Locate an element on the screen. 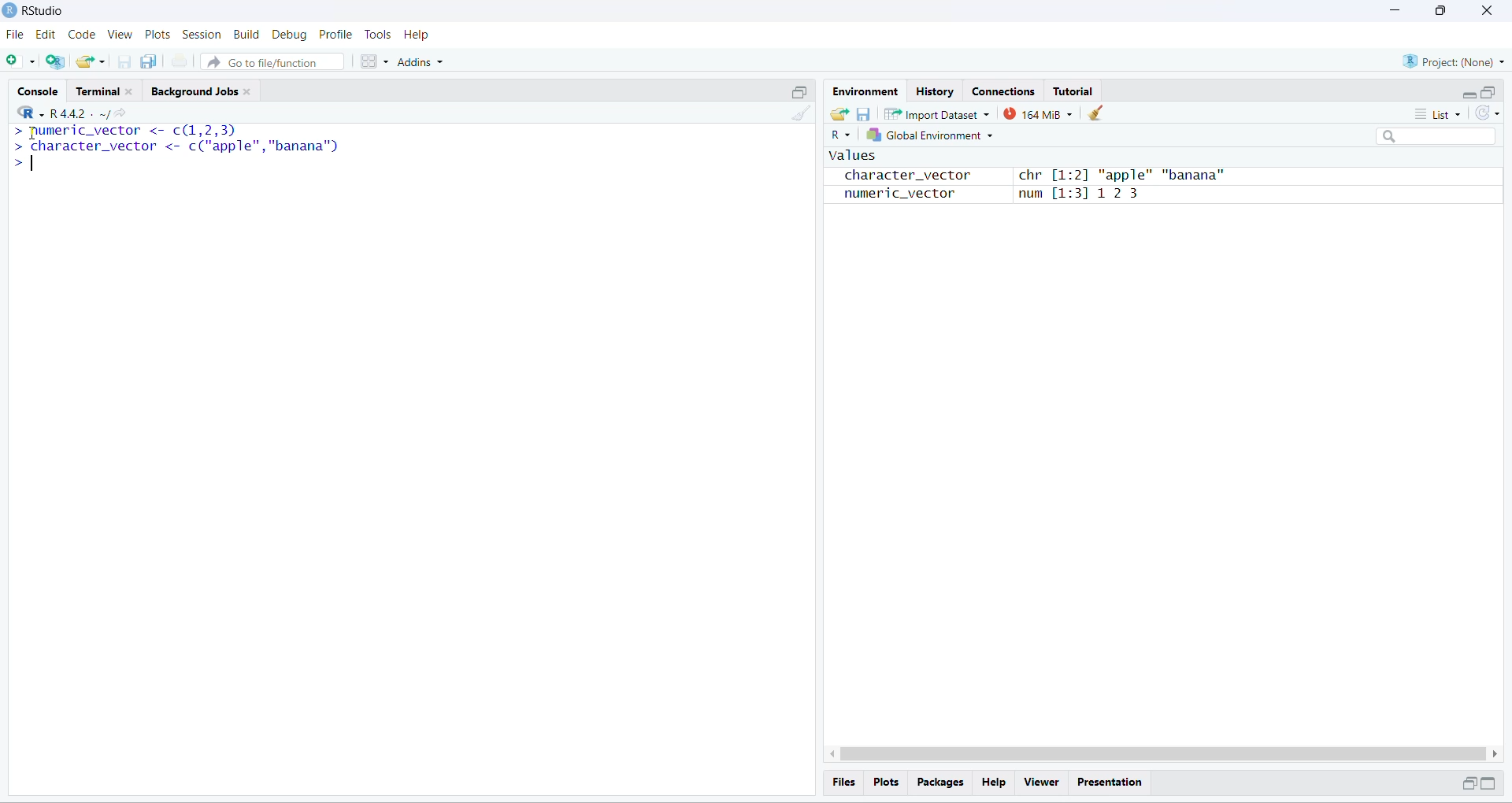  Environment. is located at coordinates (864, 91).